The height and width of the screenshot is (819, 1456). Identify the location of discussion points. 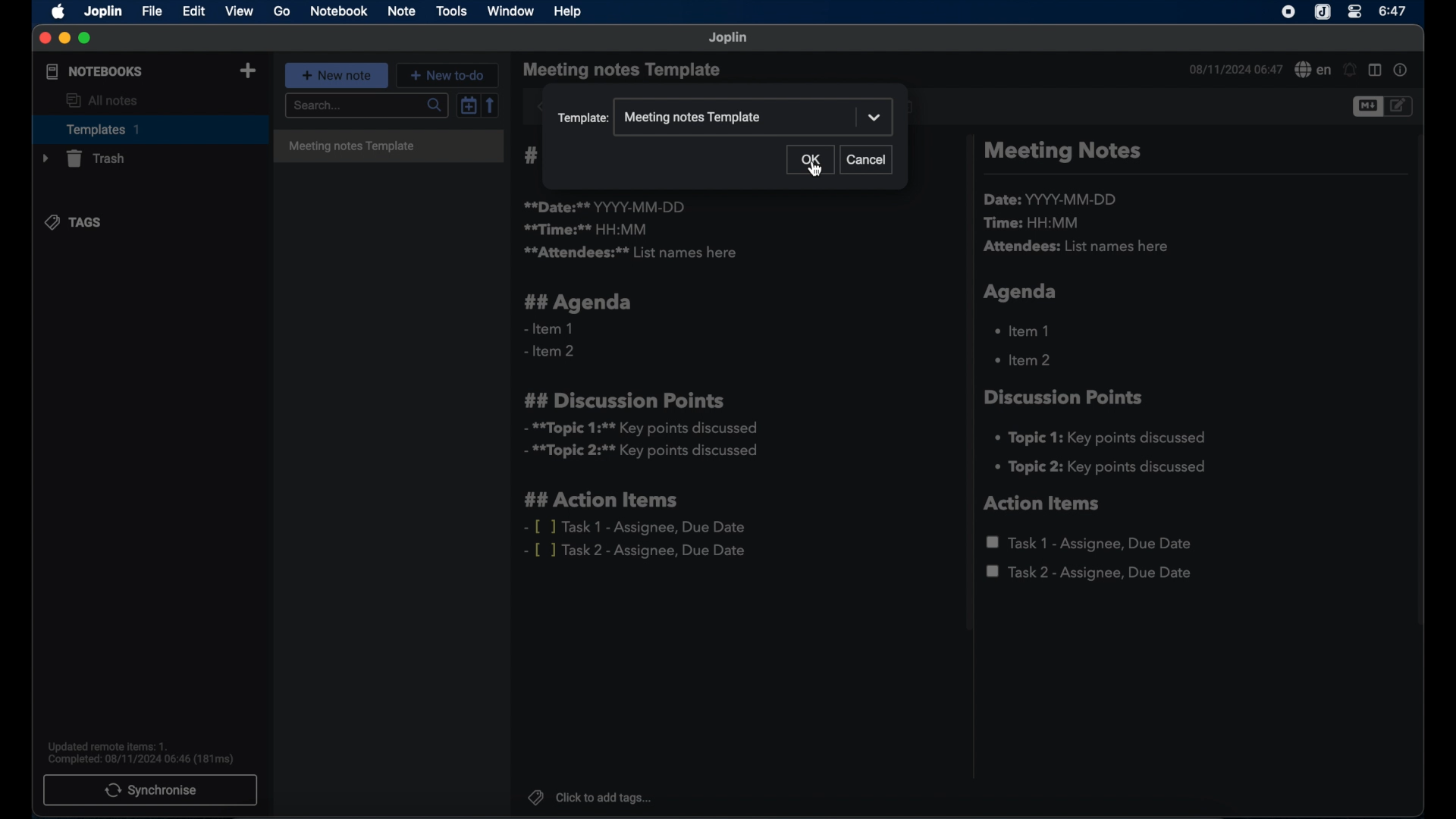
(1065, 397).